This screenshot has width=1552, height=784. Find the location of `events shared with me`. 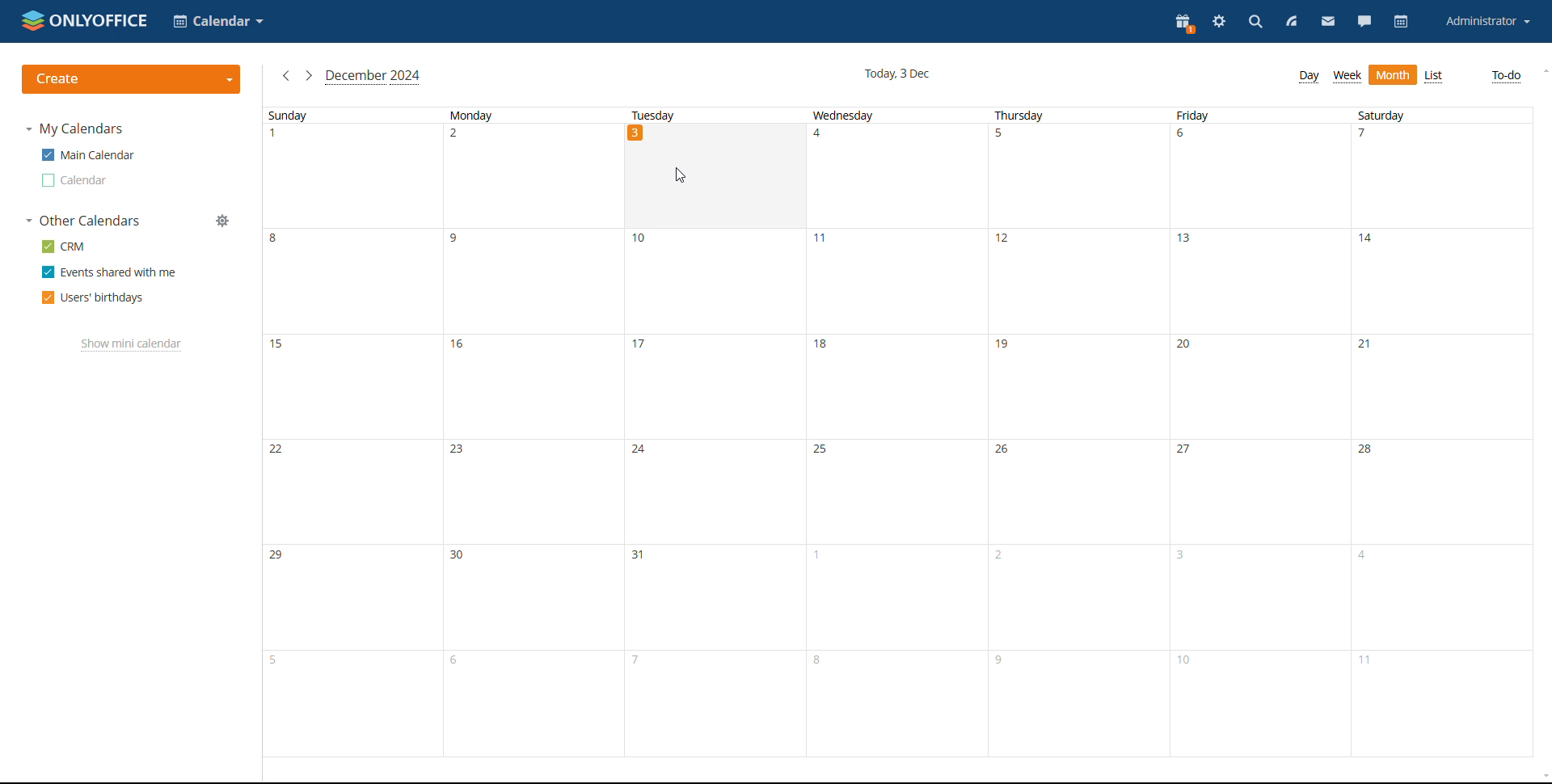

events shared with me is located at coordinates (111, 272).